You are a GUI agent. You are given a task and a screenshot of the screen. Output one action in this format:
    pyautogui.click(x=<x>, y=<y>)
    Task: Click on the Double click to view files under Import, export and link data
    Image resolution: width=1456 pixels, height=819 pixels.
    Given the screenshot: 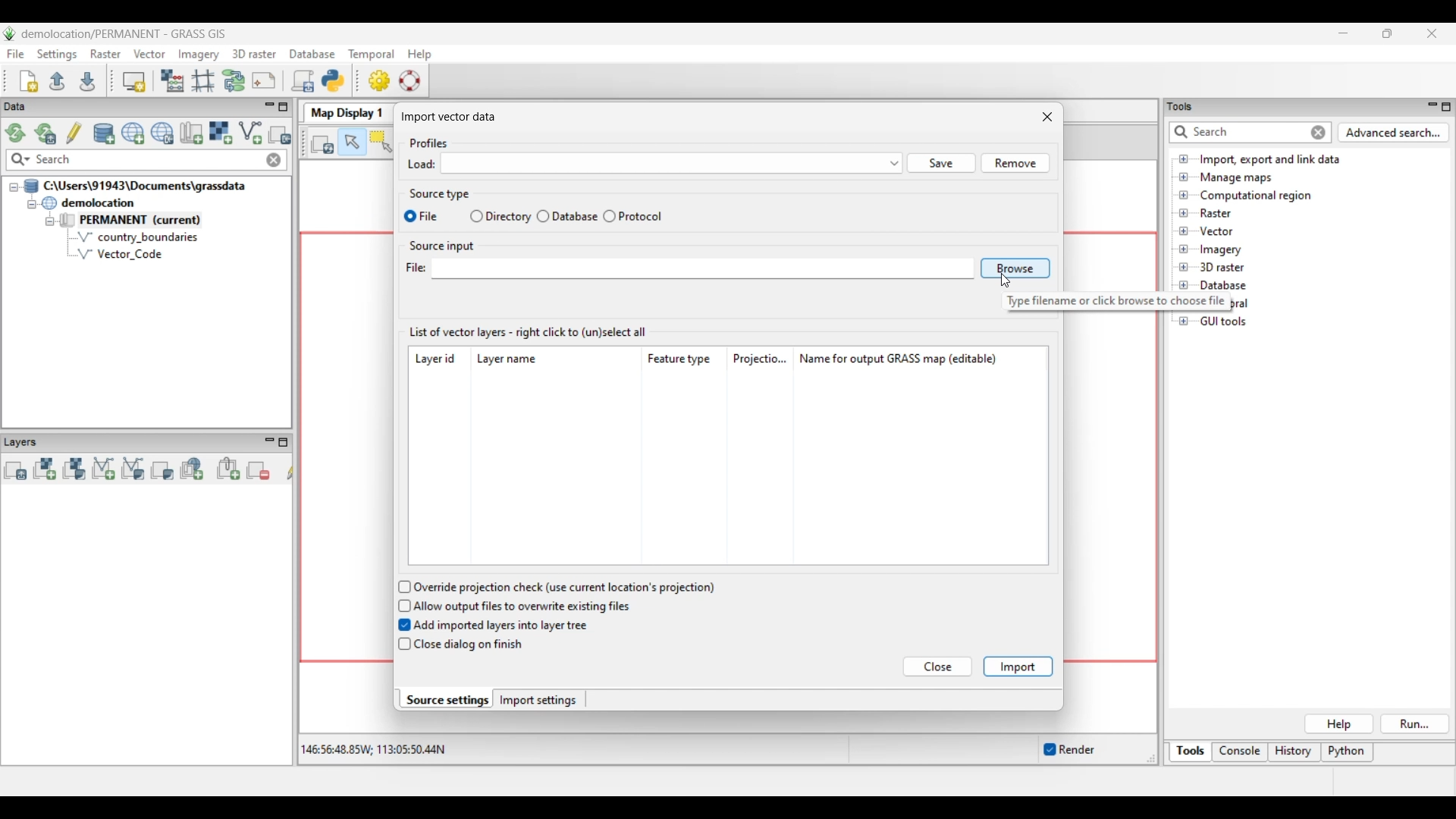 What is the action you would take?
    pyautogui.click(x=1270, y=160)
    